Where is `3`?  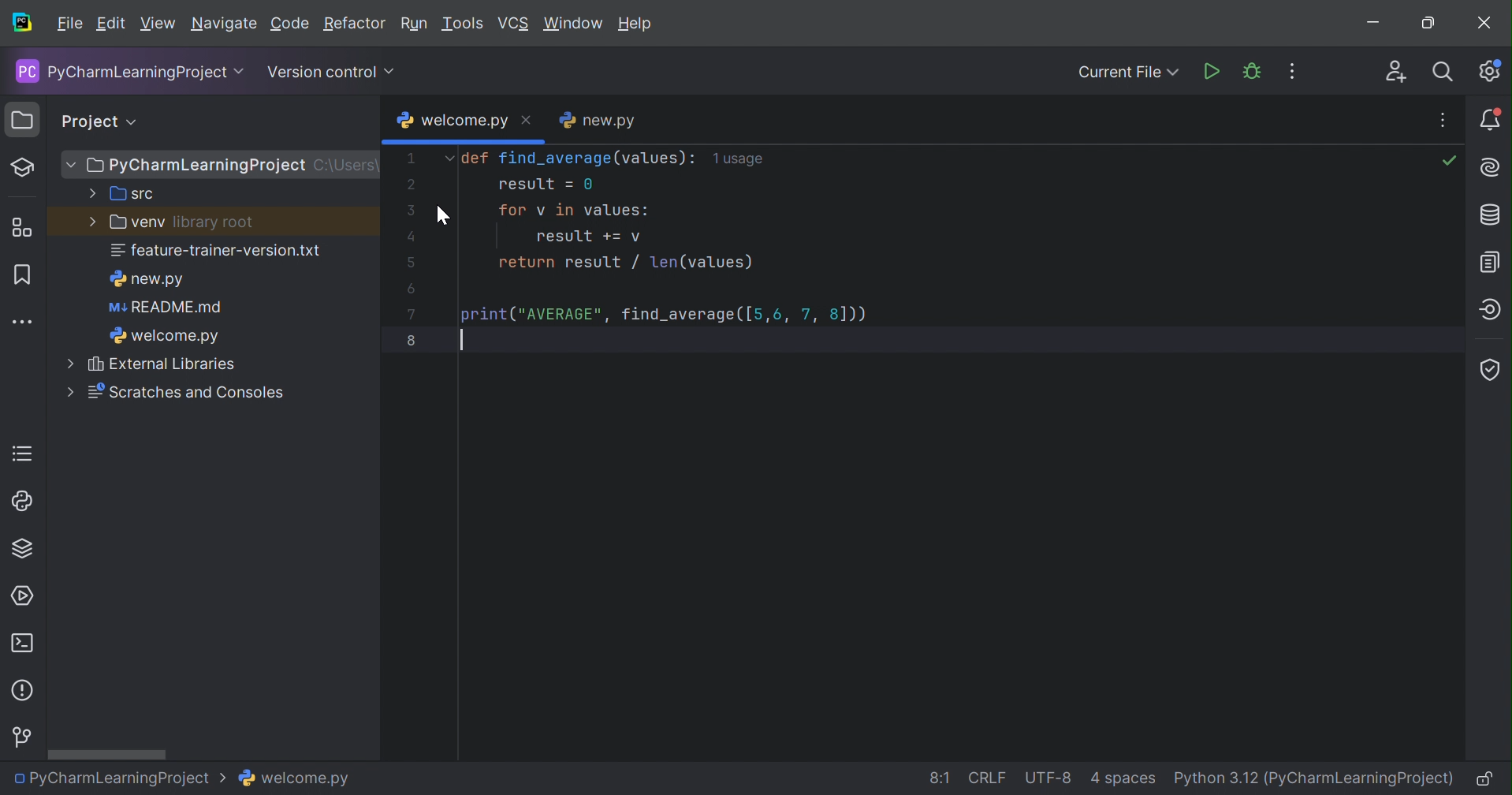 3 is located at coordinates (411, 210).